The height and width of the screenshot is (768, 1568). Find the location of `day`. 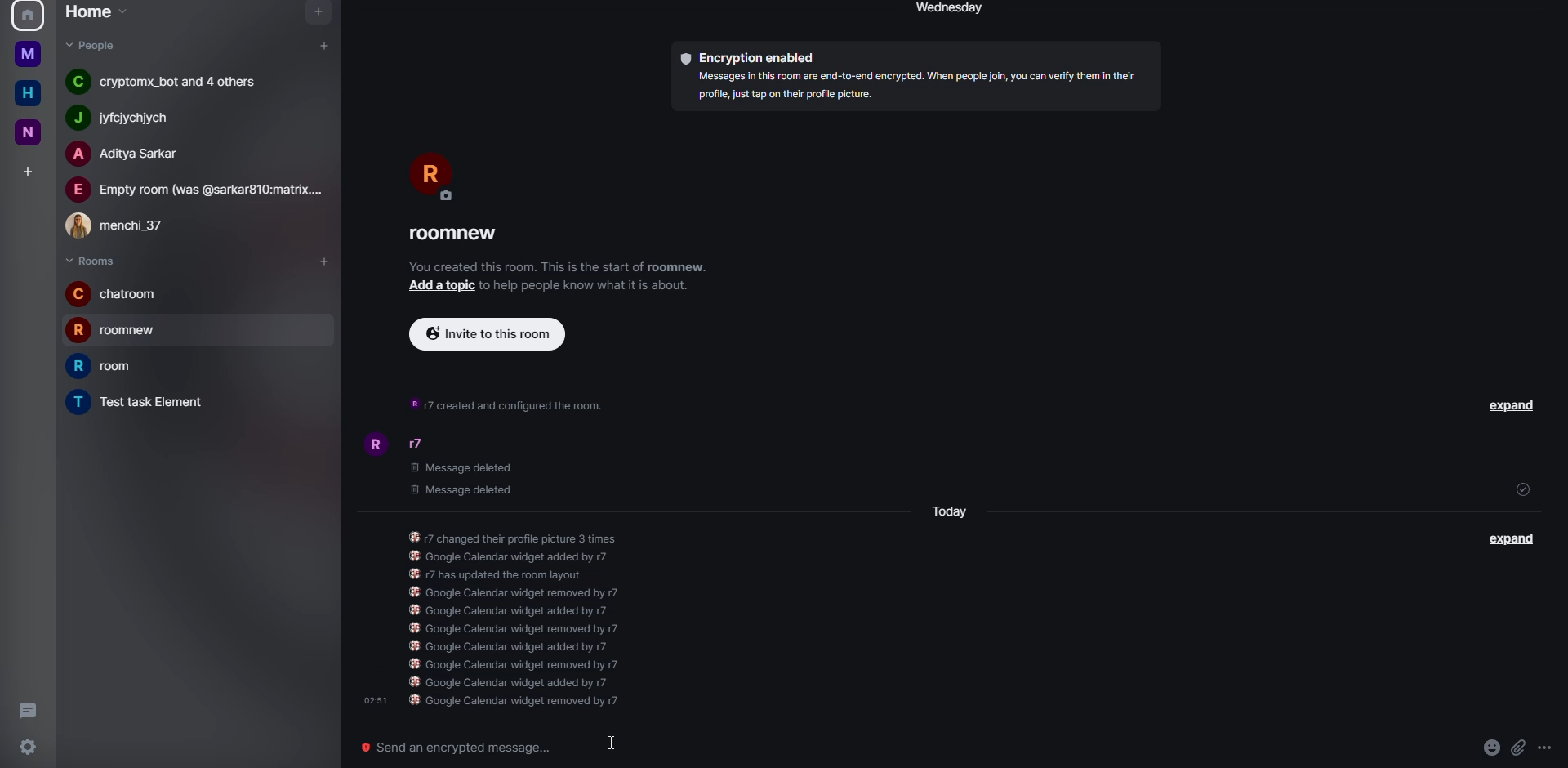

day is located at coordinates (952, 511).